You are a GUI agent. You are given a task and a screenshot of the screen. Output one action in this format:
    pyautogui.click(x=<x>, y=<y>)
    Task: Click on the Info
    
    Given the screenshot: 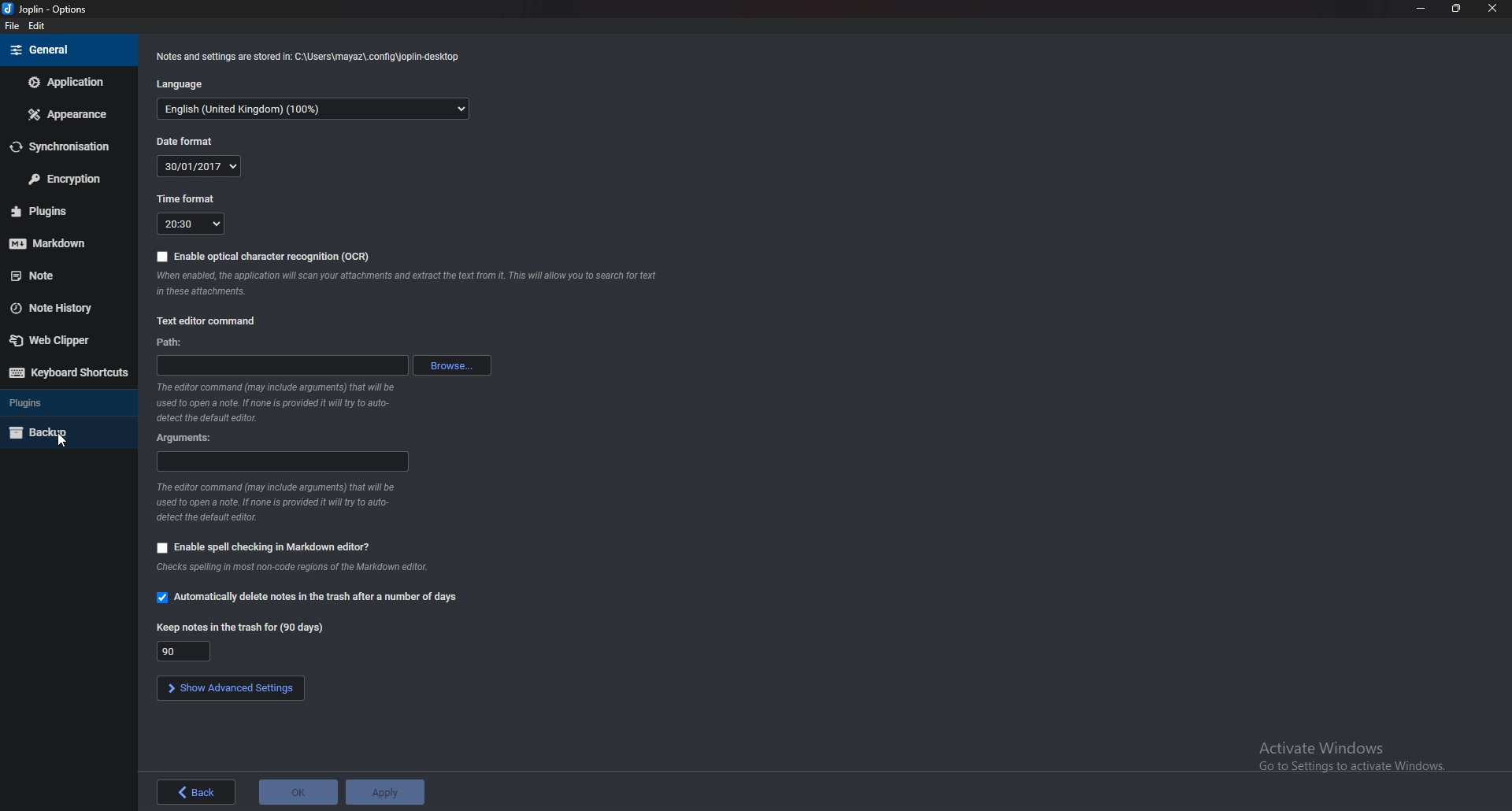 What is the action you would take?
    pyautogui.click(x=282, y=501)
    